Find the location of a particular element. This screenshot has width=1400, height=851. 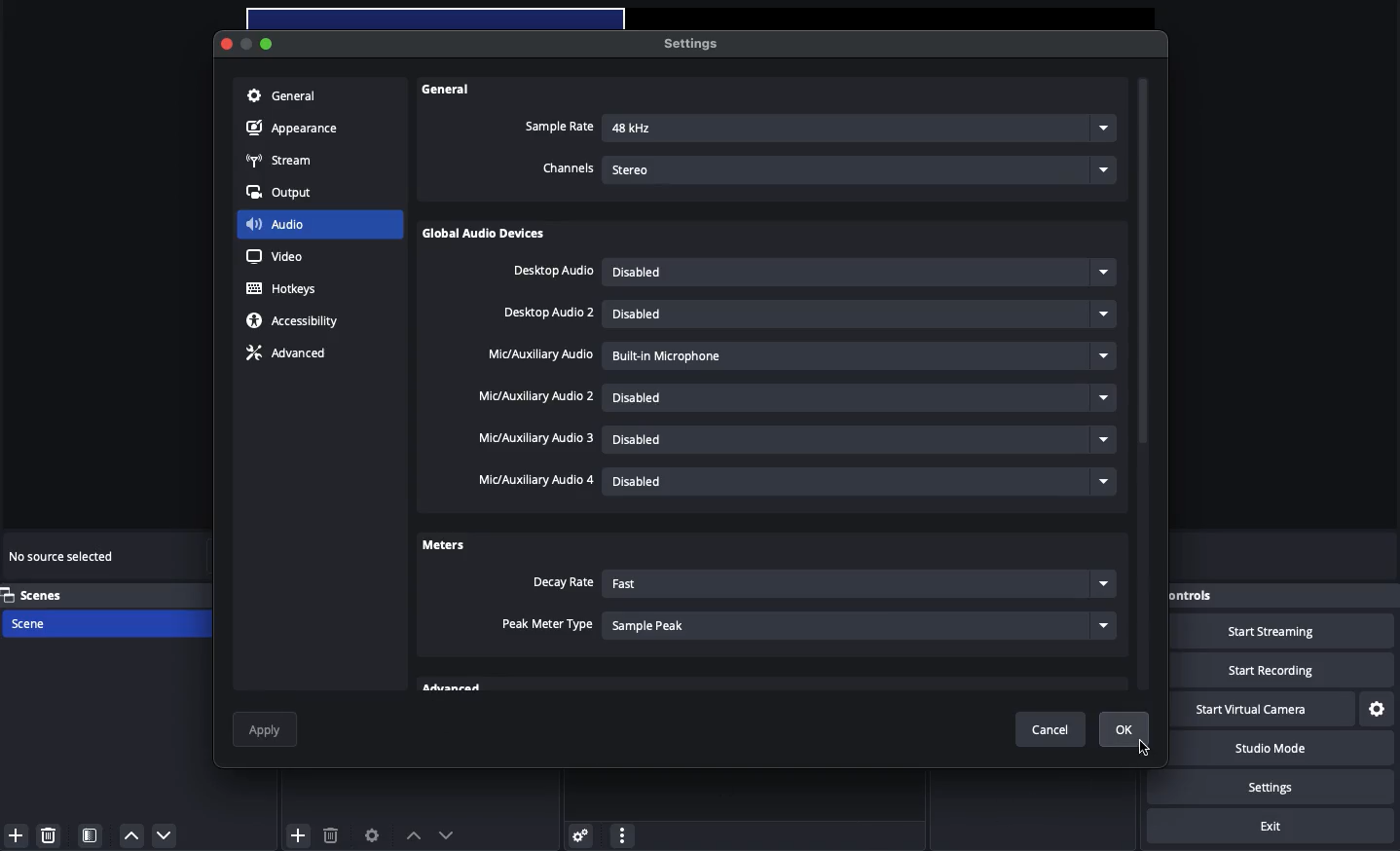

Output is located at coordinates (285, 193).